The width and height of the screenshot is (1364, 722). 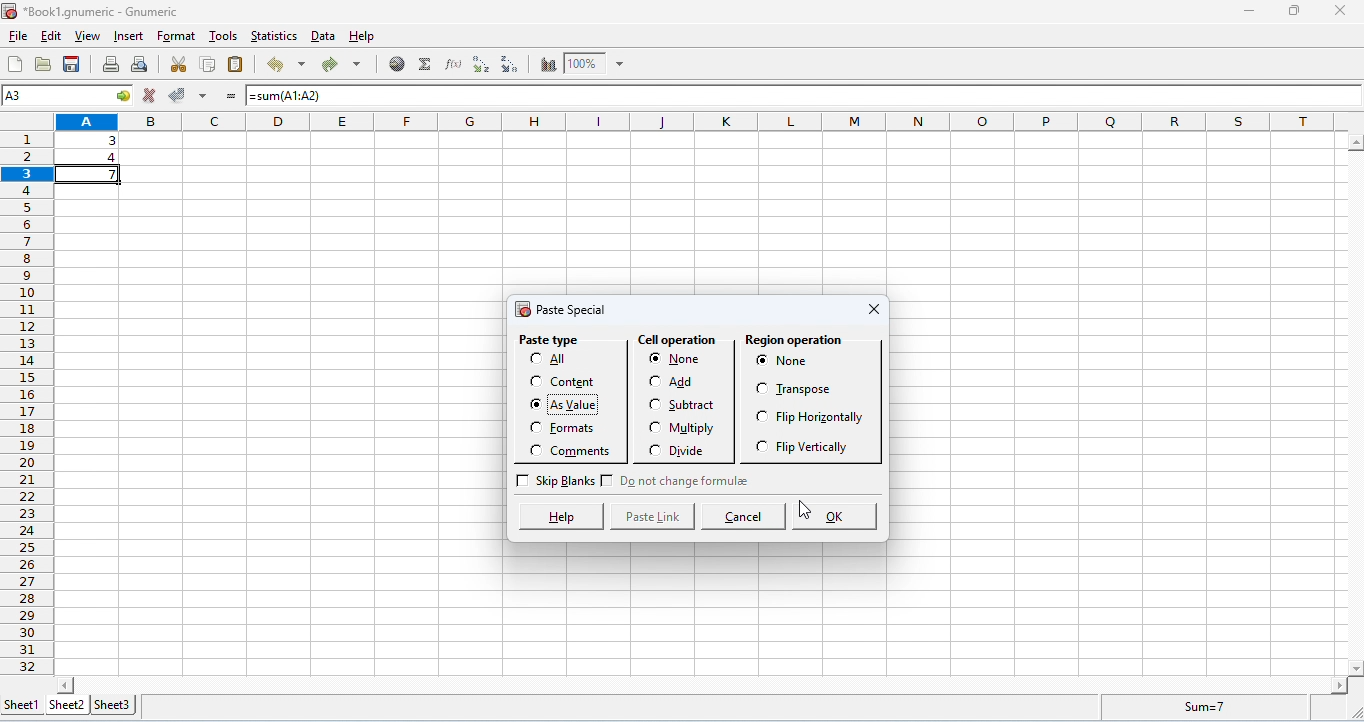 What do you see at coordinates (692, 452) in the screenshot?
I see `divide` at bounding box center [692, 452].